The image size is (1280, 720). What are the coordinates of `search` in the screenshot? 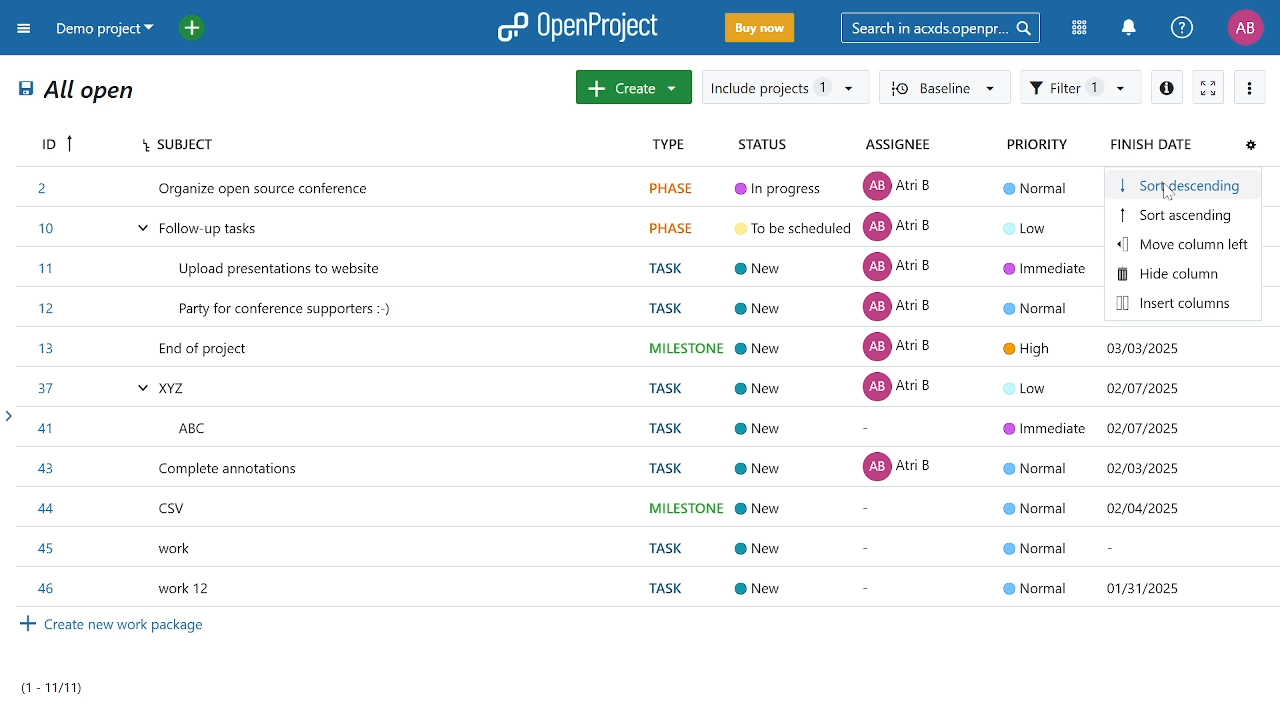 It's located at (940, 27).